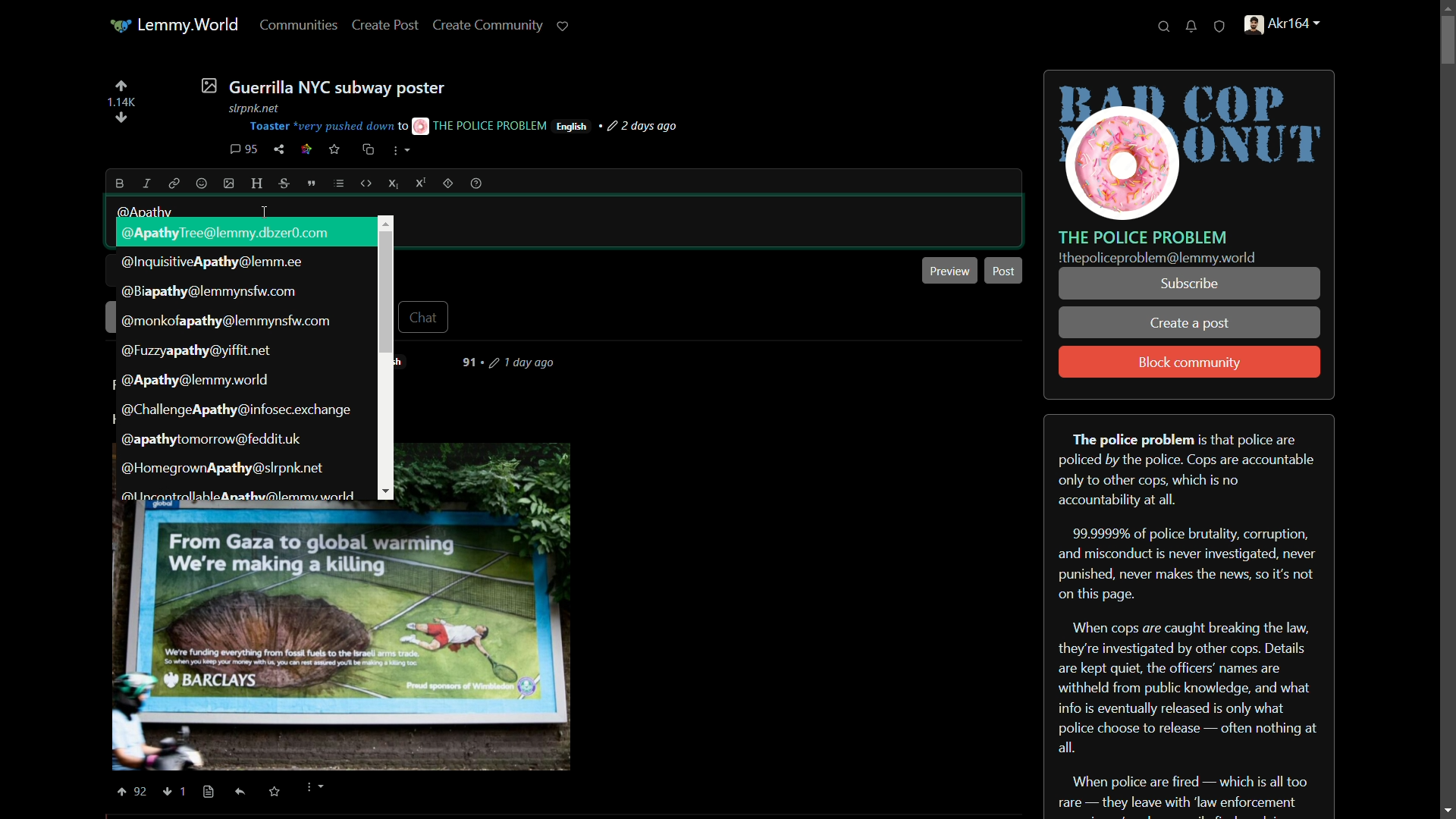 The width and height of the screenshot is (1456, 819). Describe the element at coordinates (146, 212) in the screenshot. I see `@Apathy` at that location.